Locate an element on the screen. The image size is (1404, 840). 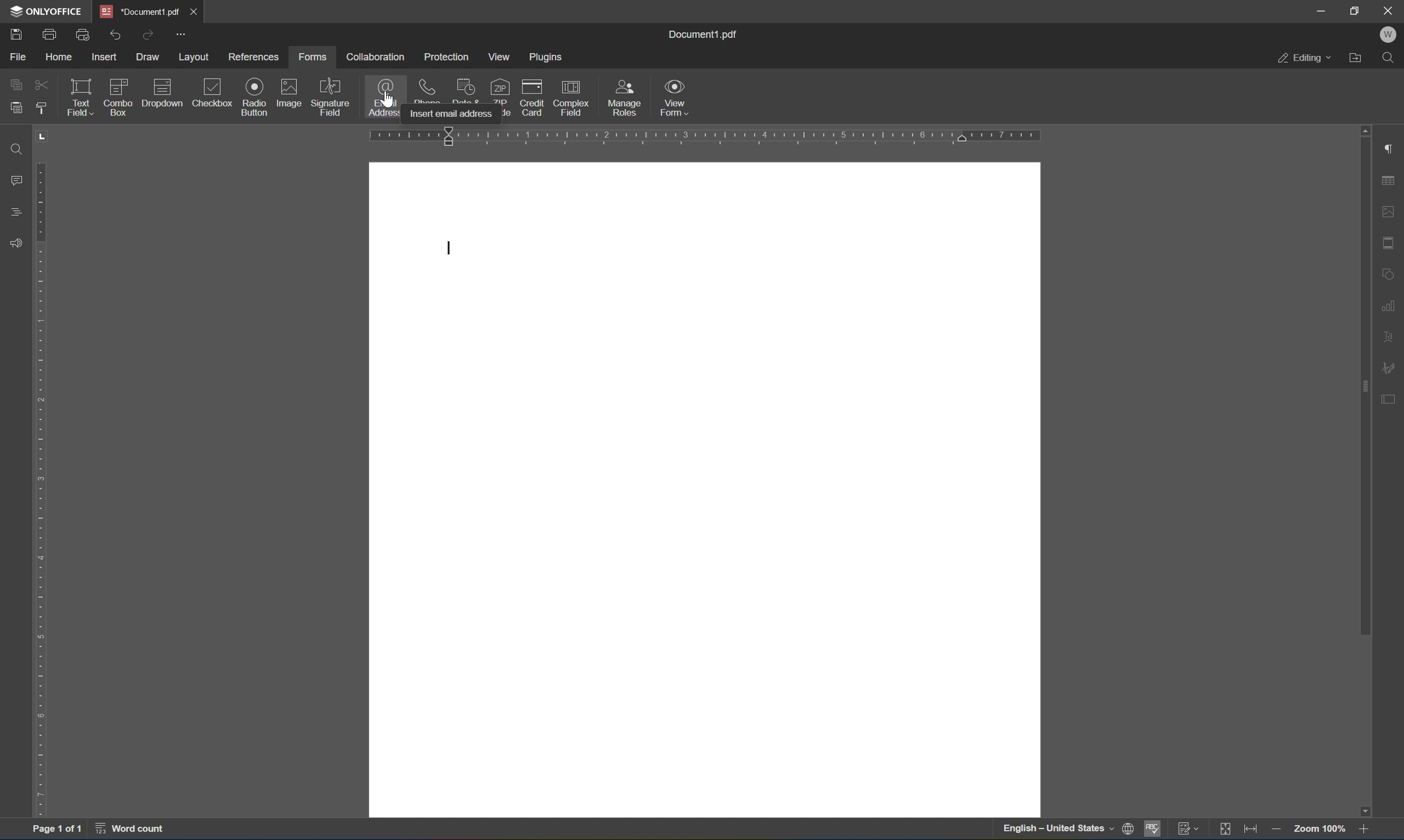
radio button is located at coordinates (255, 96).